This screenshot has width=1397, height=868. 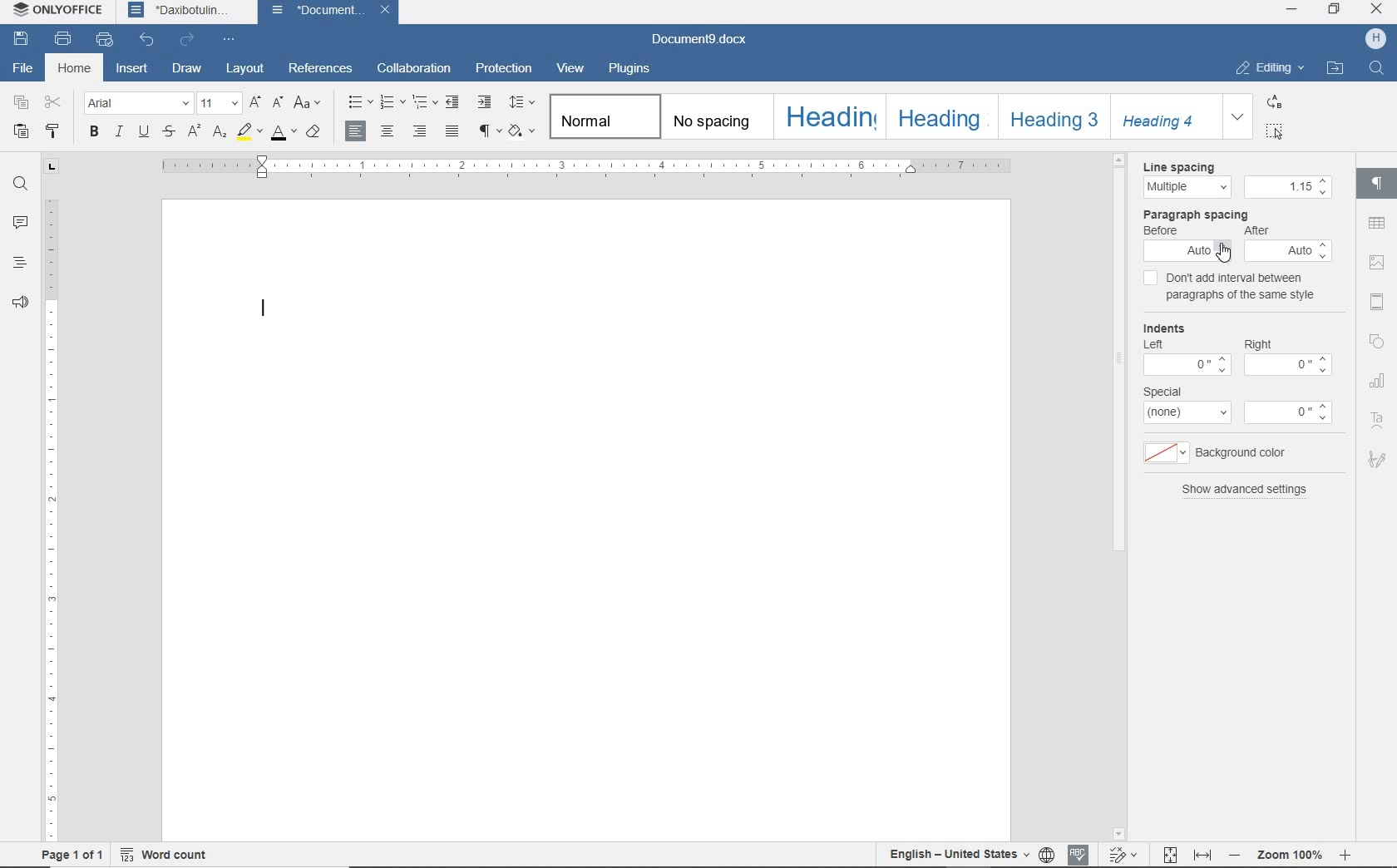 What do you see at coordinates (170, 131) in the screenshot?
I see `strikethrough` at bounding box center [170, 131].